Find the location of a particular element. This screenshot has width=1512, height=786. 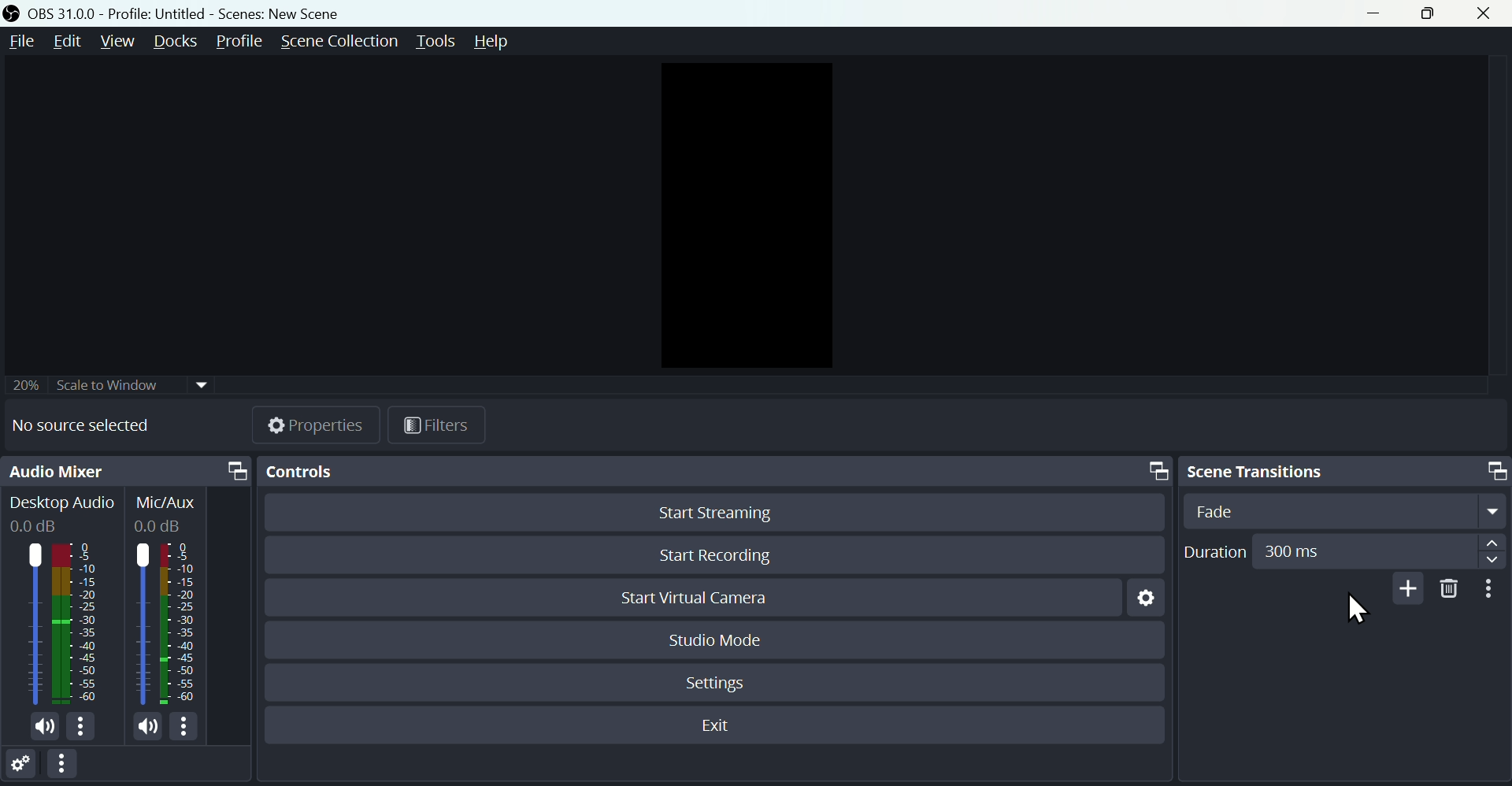

(un)mute is located at coordinates (47, 729).